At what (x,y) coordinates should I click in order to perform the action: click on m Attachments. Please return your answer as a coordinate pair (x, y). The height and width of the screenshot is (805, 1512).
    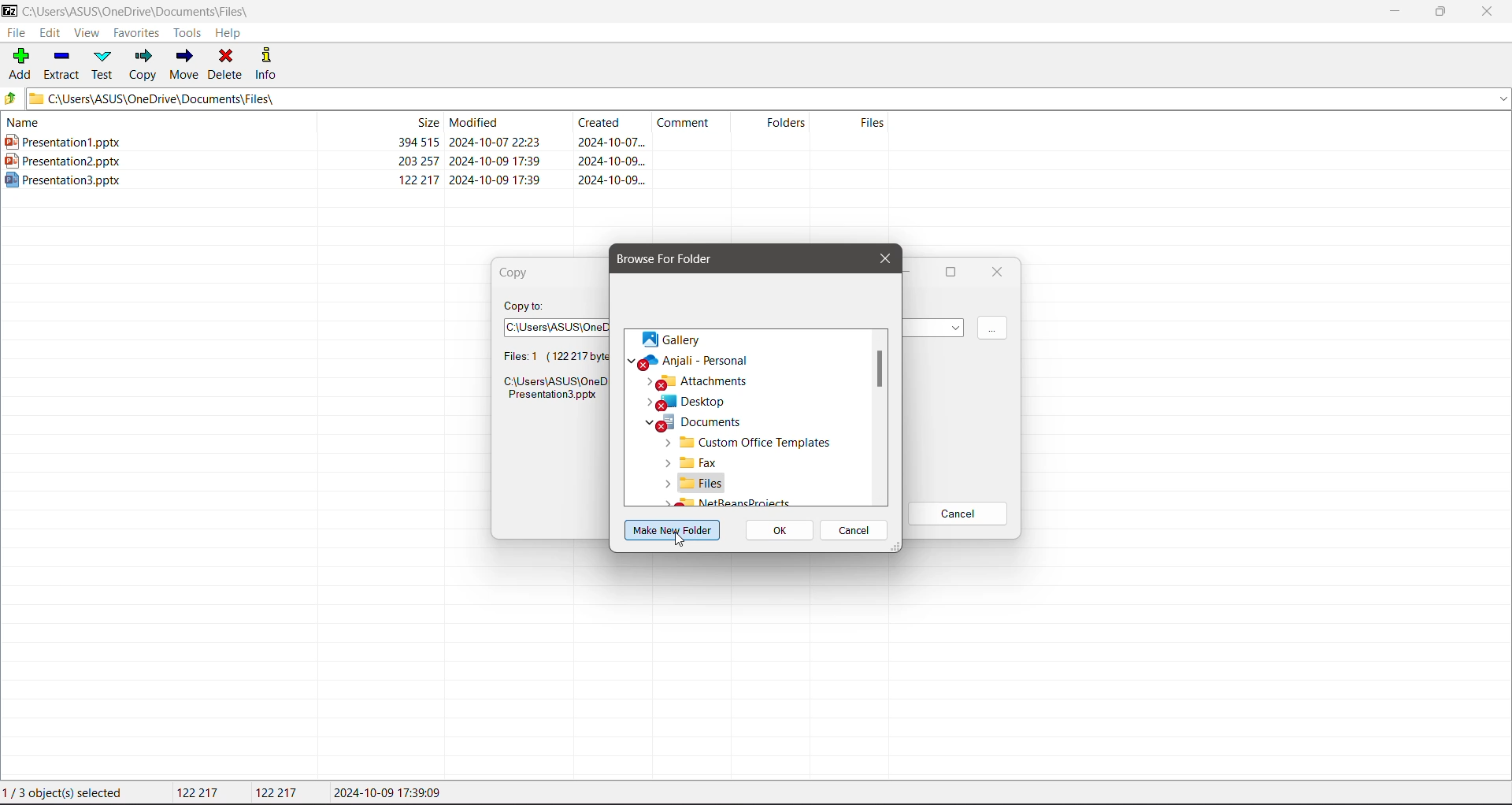
    Looking at the image, I should click on (701, 381).